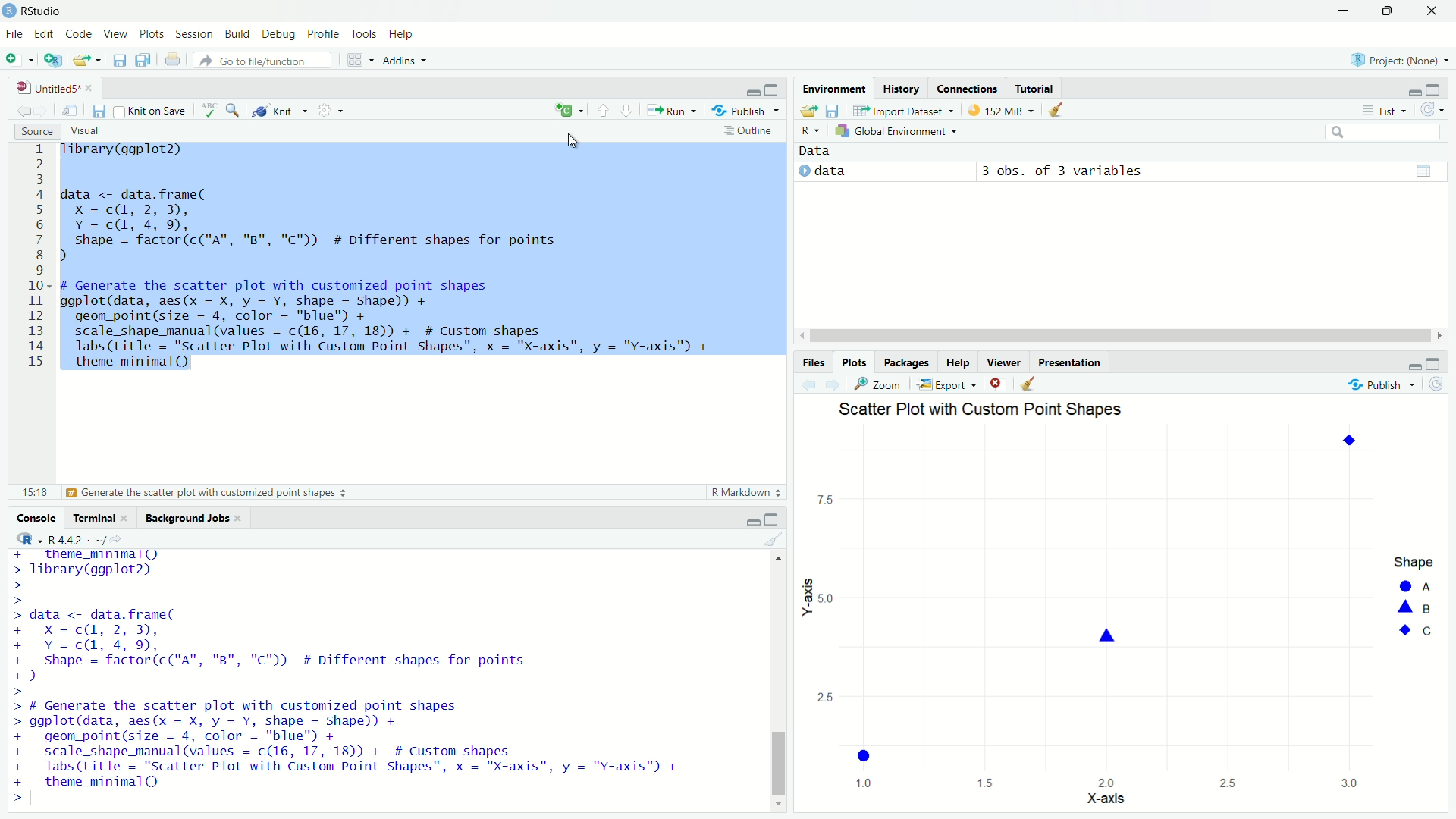  What do you see at coordinates (802, 170) in the screenshot?
I see `expand/collapse` at bounding box center [802, 170].